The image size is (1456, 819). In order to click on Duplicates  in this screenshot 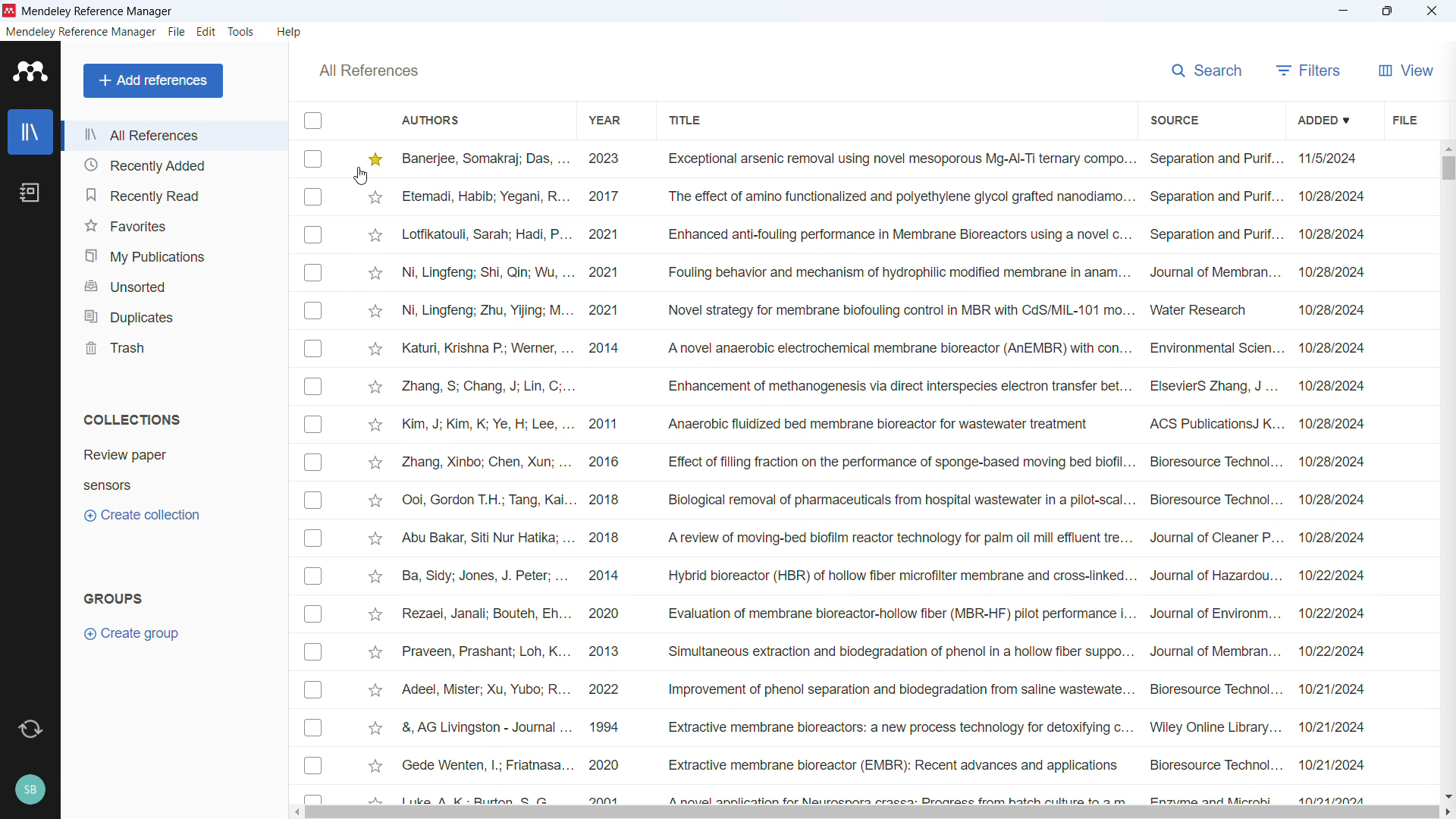, I will do `click(175, 313)`.